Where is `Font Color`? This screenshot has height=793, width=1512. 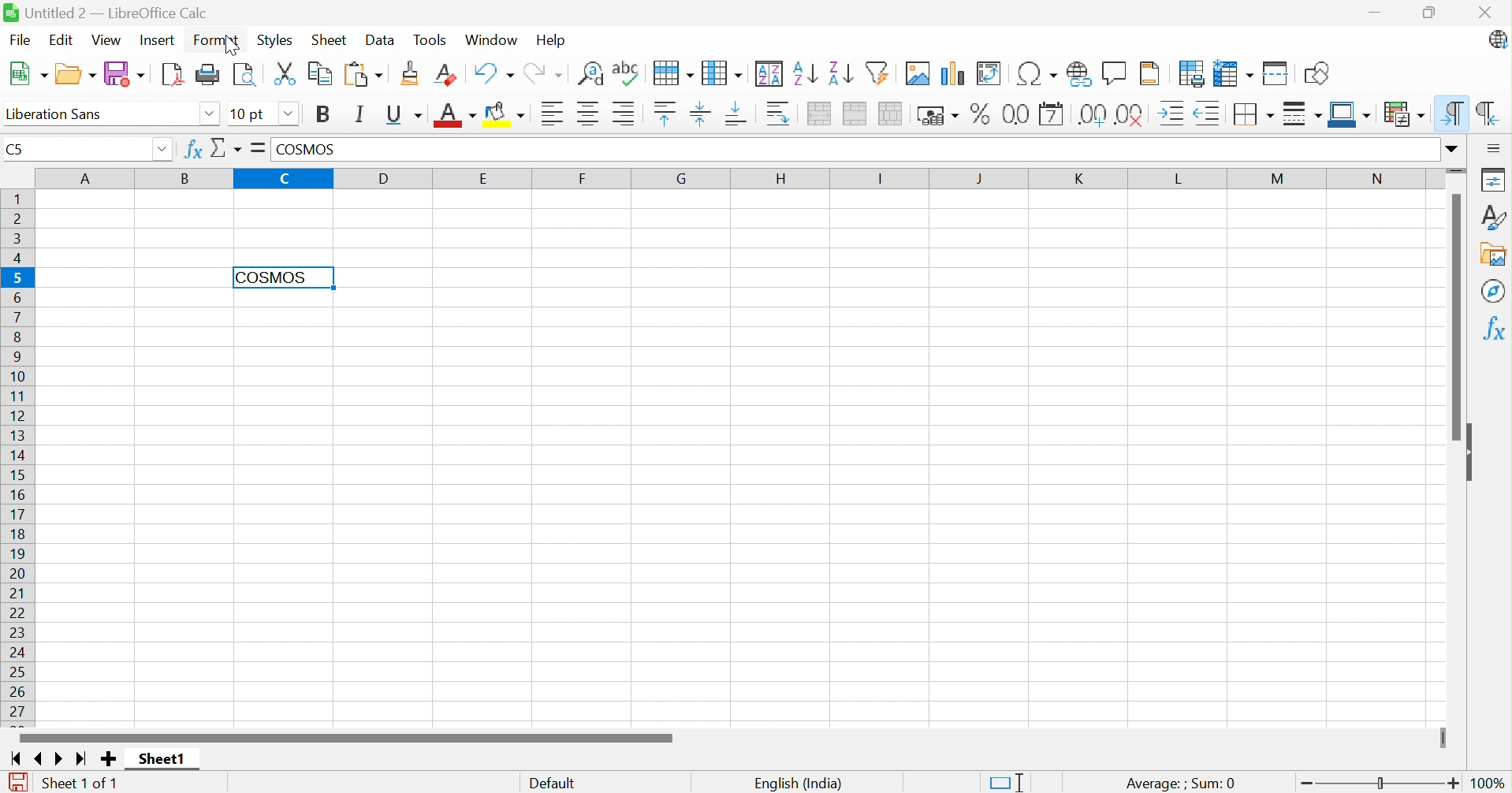
Font Color is located at coordinates (455, 116).